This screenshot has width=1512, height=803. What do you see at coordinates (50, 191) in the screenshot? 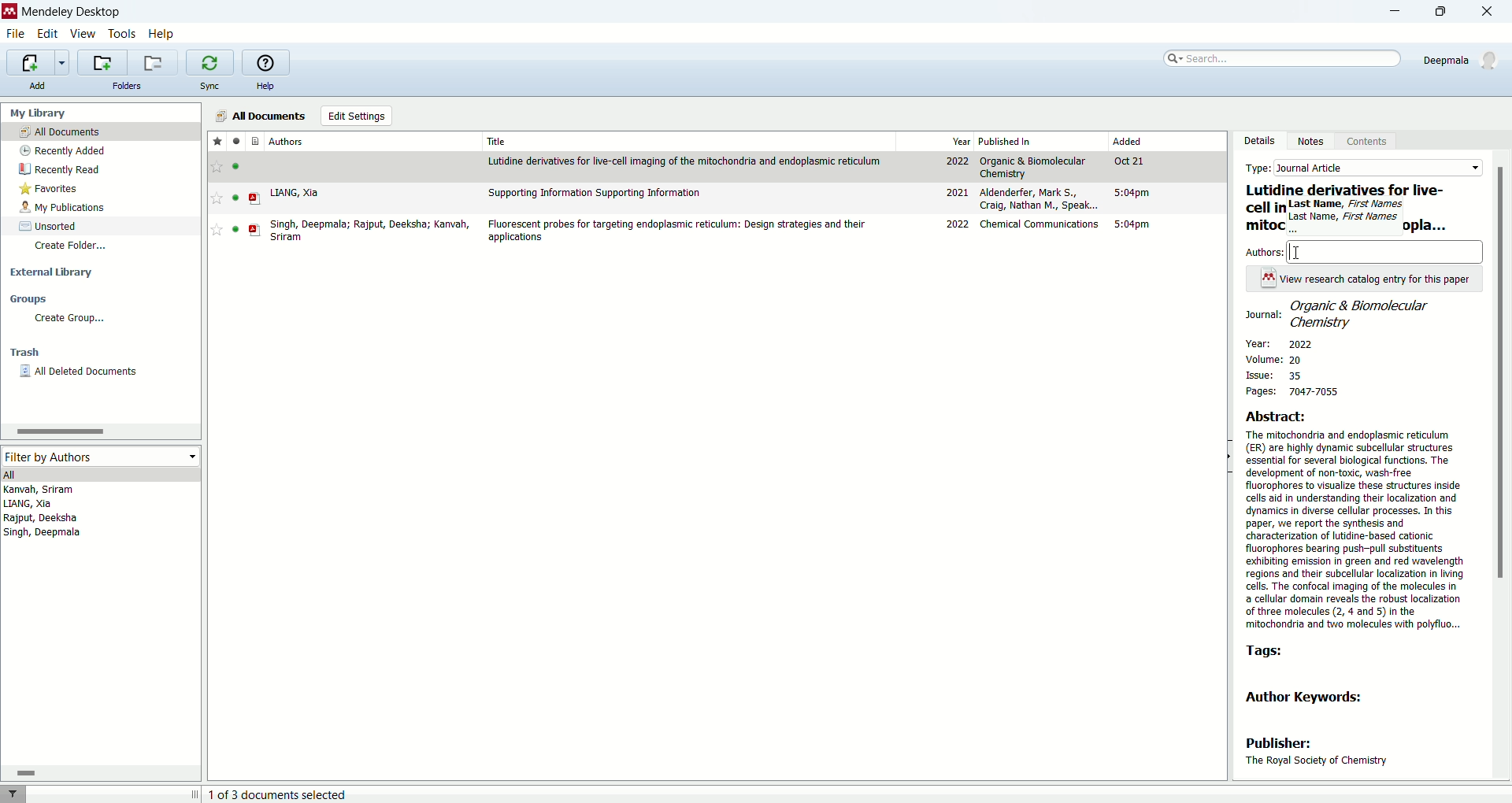
I see `favorites` at bounding box center [50, 191].